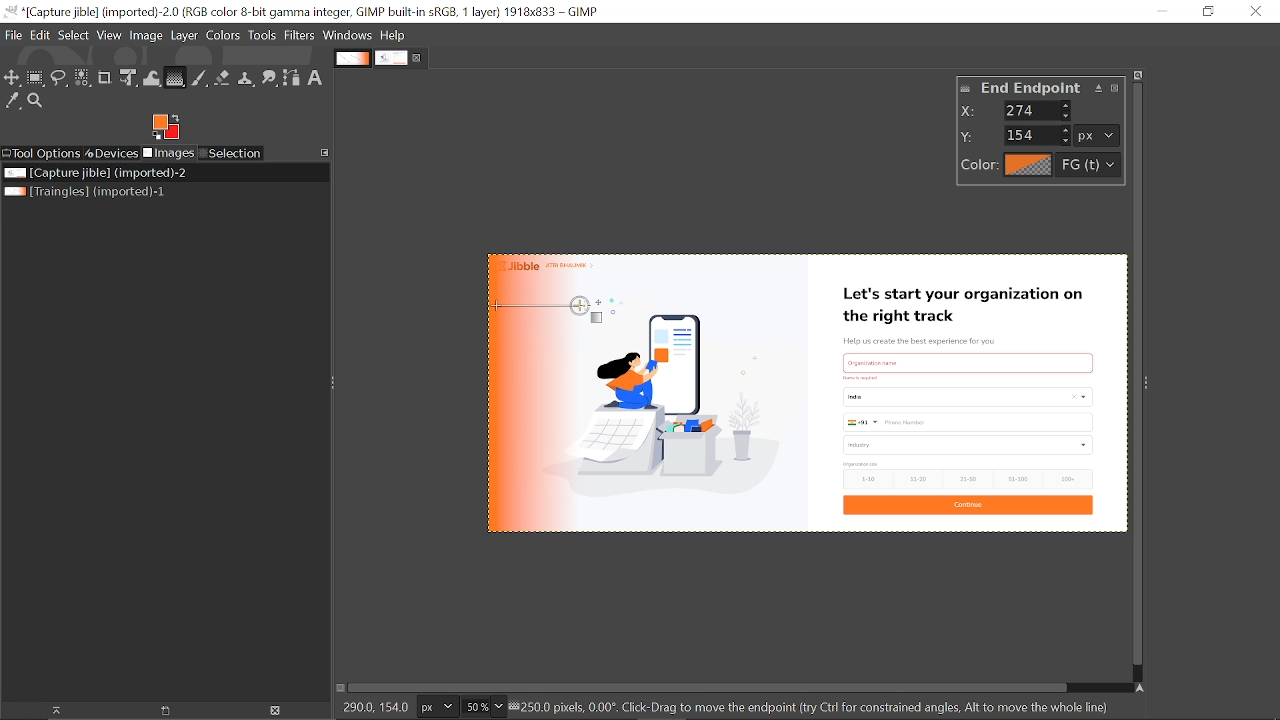 The image size is (1280, 720). What do you see at coordinates (60, 79) in the screenshot?
I see `Free select tool` at bounding box center [60, 79].